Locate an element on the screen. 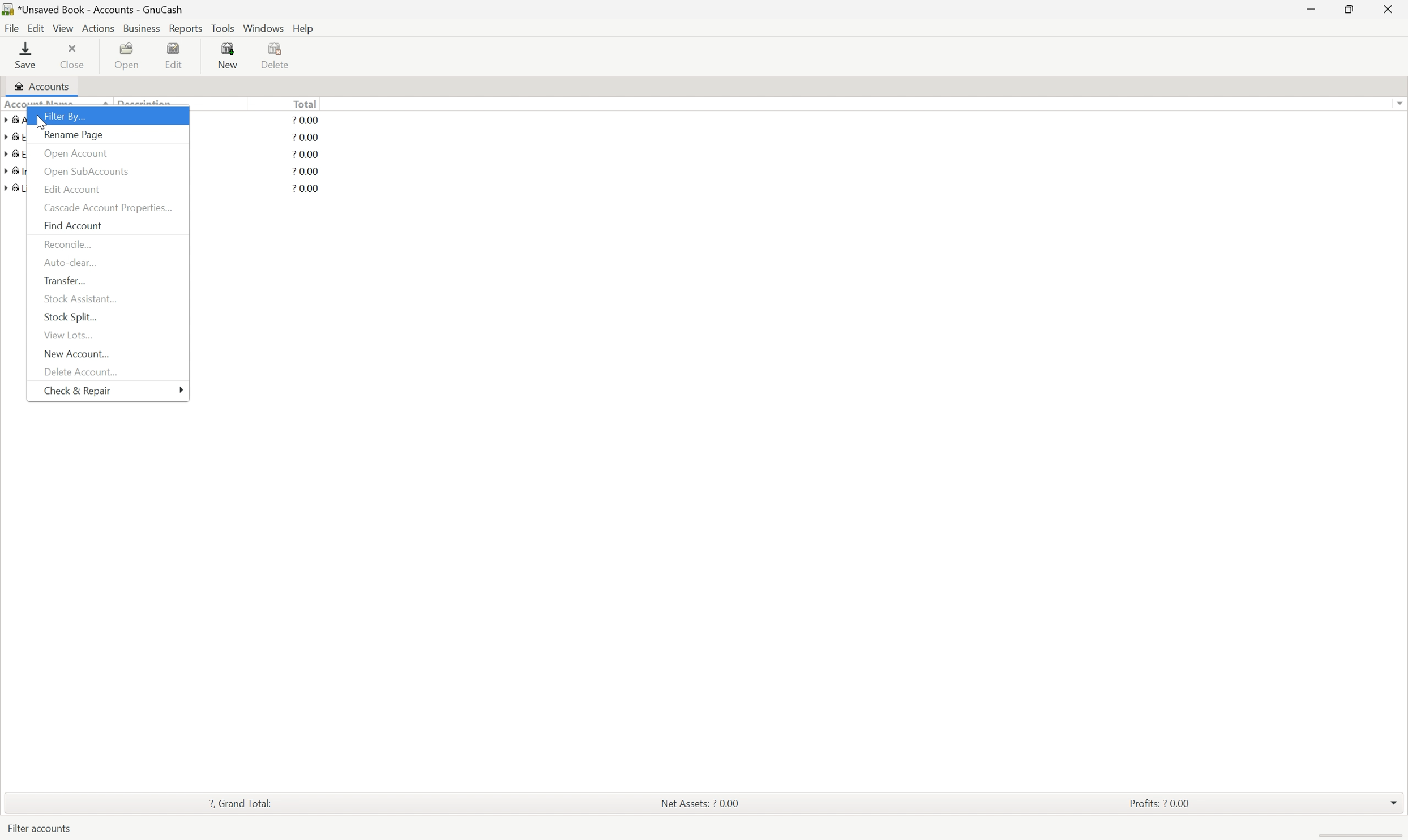 The width and height of the screenshot is (1408, 840). mouse pointer is located at coordinates (42, 123).